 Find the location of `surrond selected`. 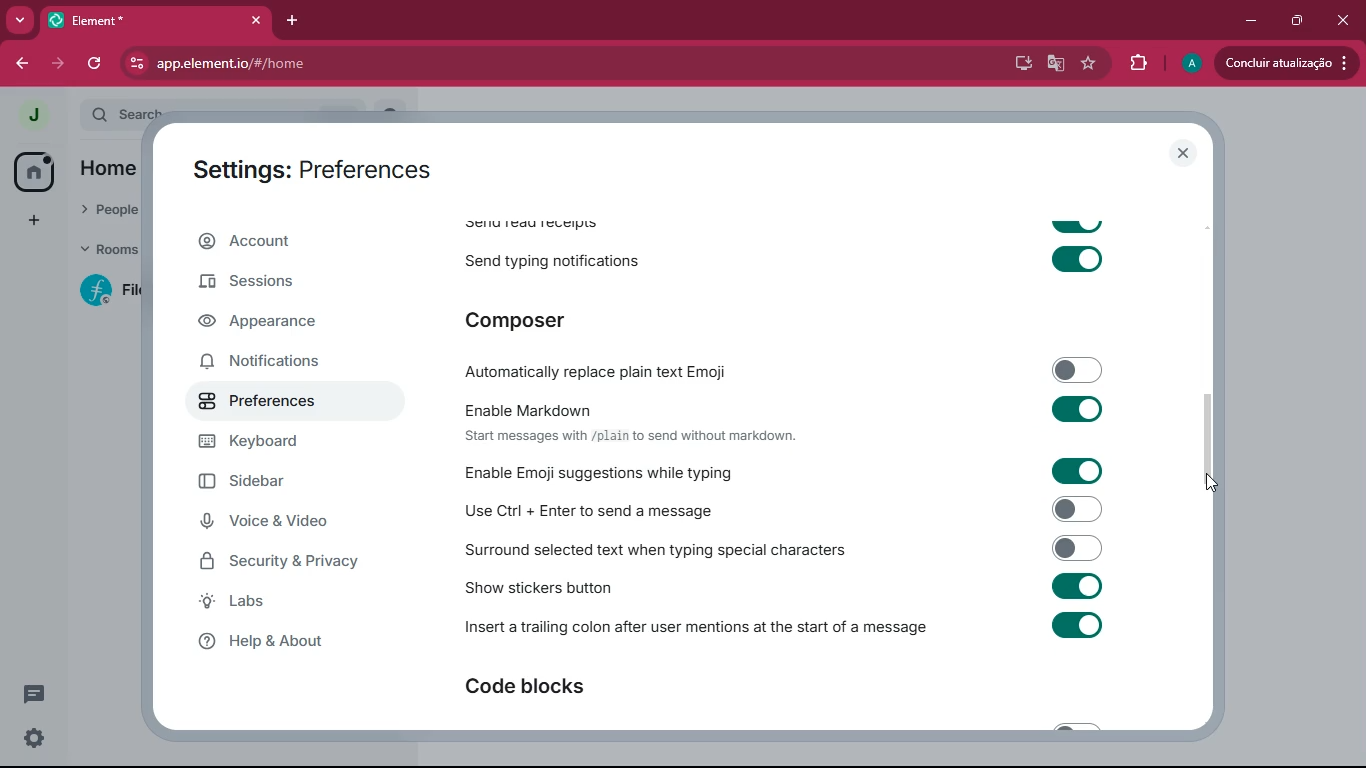

surrond selected is located at coordinates (793, 549).